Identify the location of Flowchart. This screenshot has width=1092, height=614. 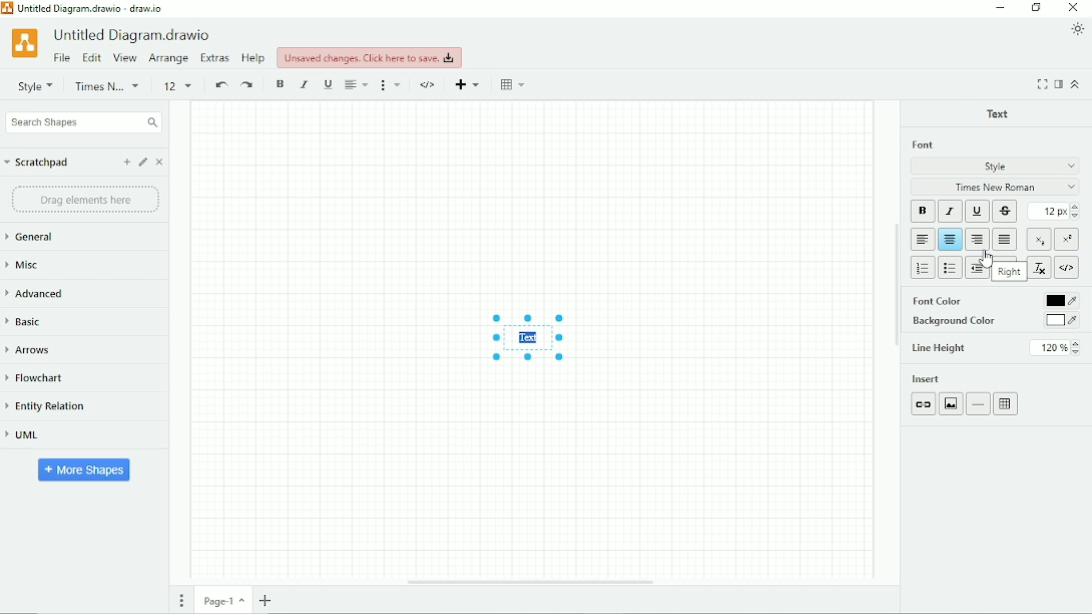
(40, 378).